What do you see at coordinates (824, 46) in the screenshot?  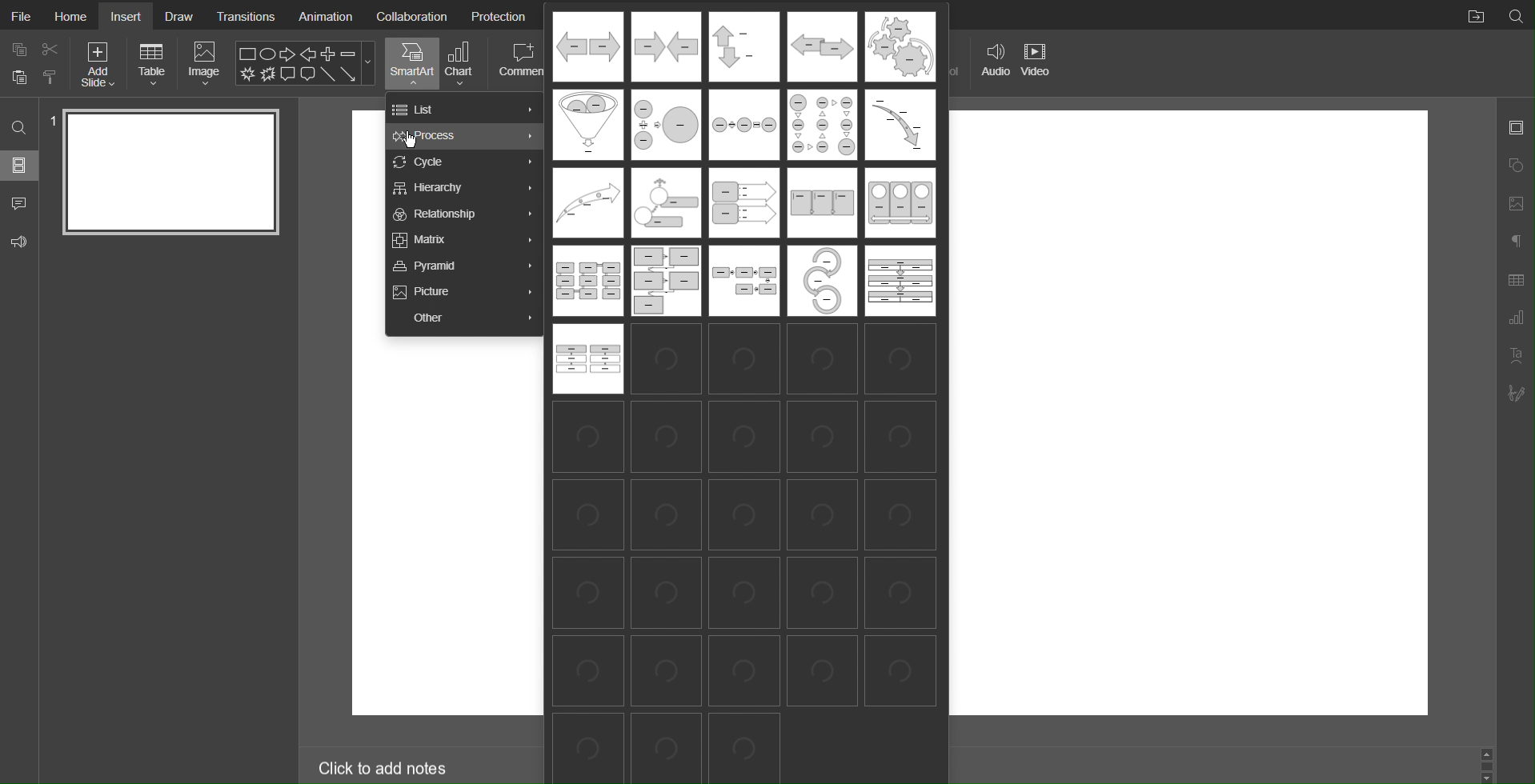 I see `Process Template 4` at bounding box center [824, 46].